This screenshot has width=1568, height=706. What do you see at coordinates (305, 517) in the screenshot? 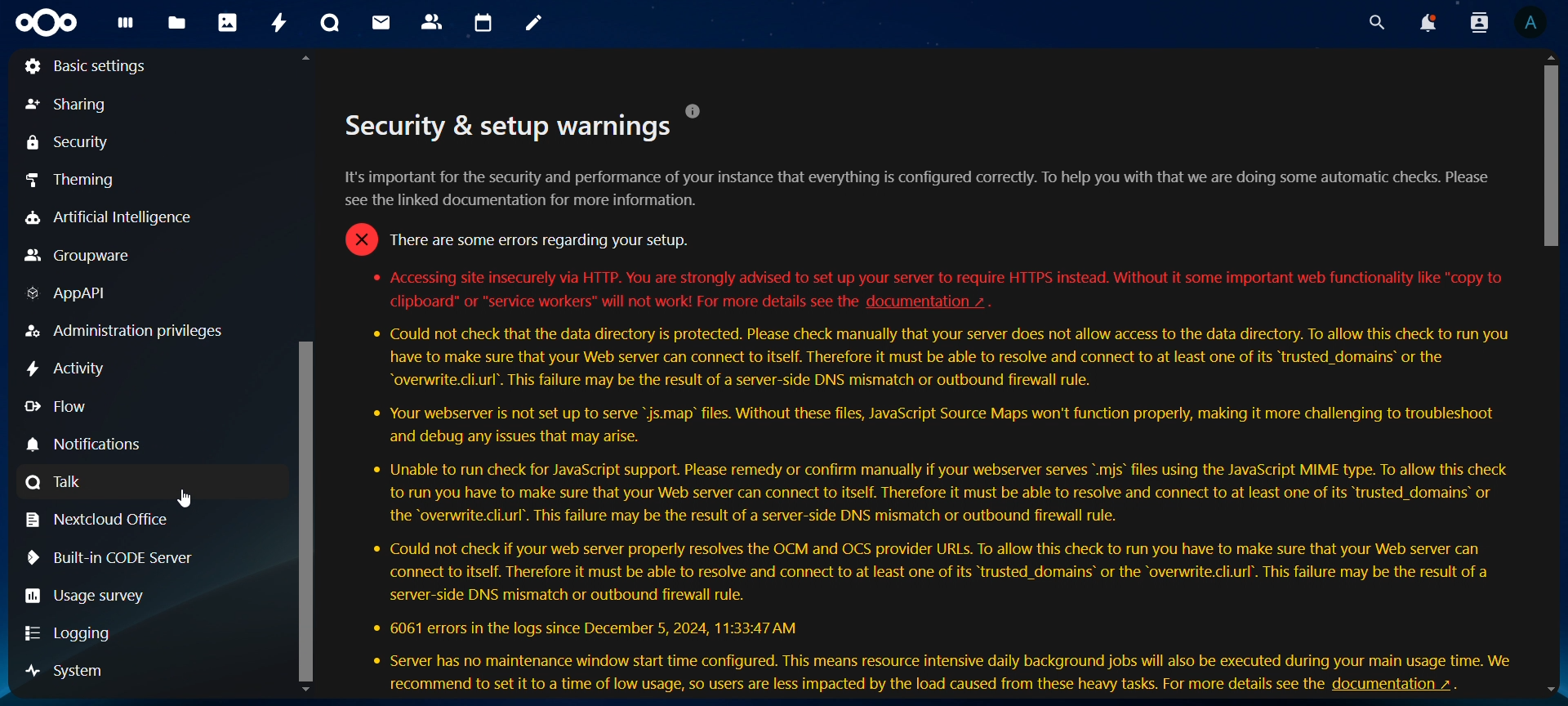
I see `vertical scroll bar` at bounding box center [305, 517].